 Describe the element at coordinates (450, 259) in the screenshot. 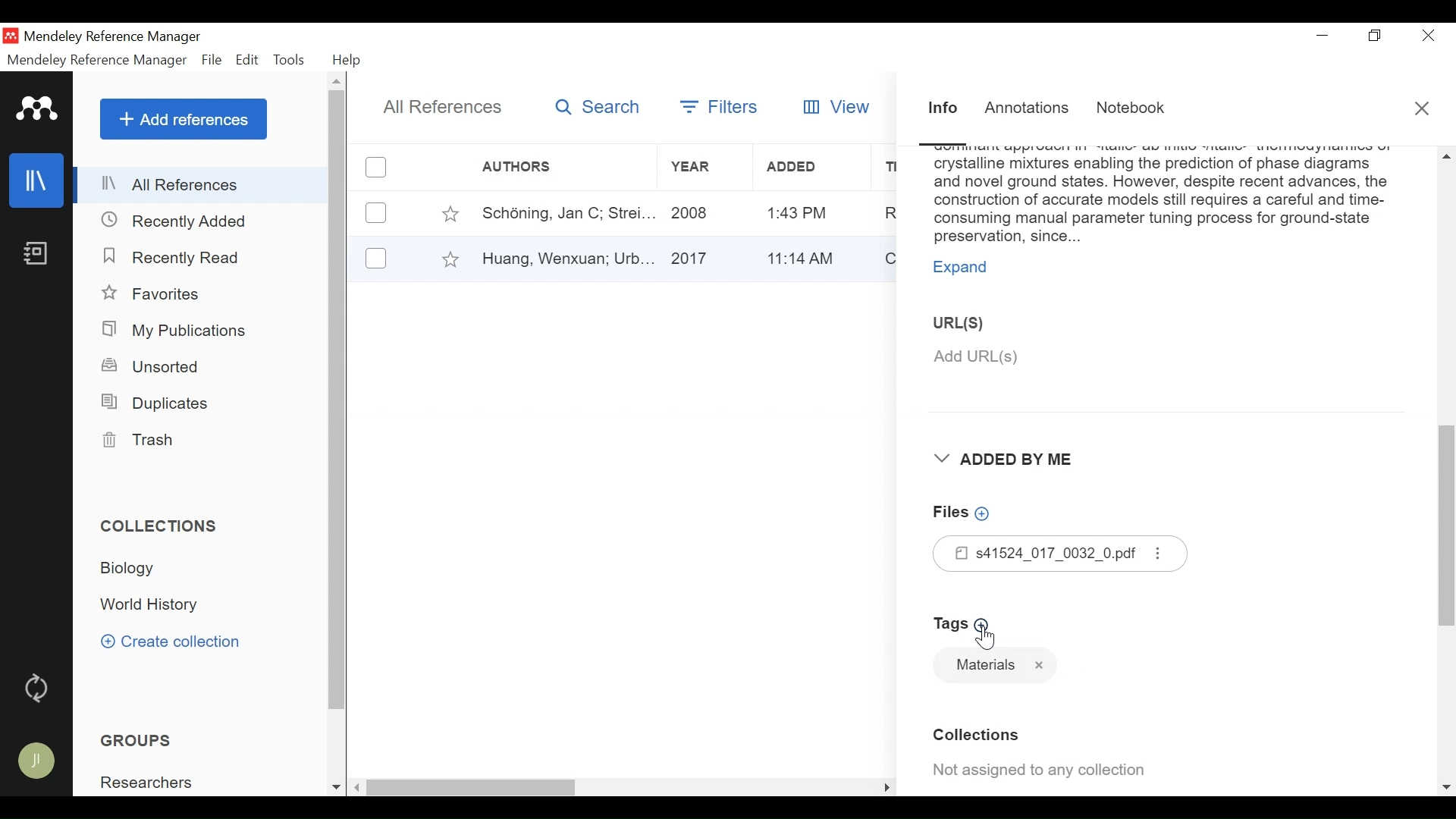

I see `Toggle Favorites` at that location.